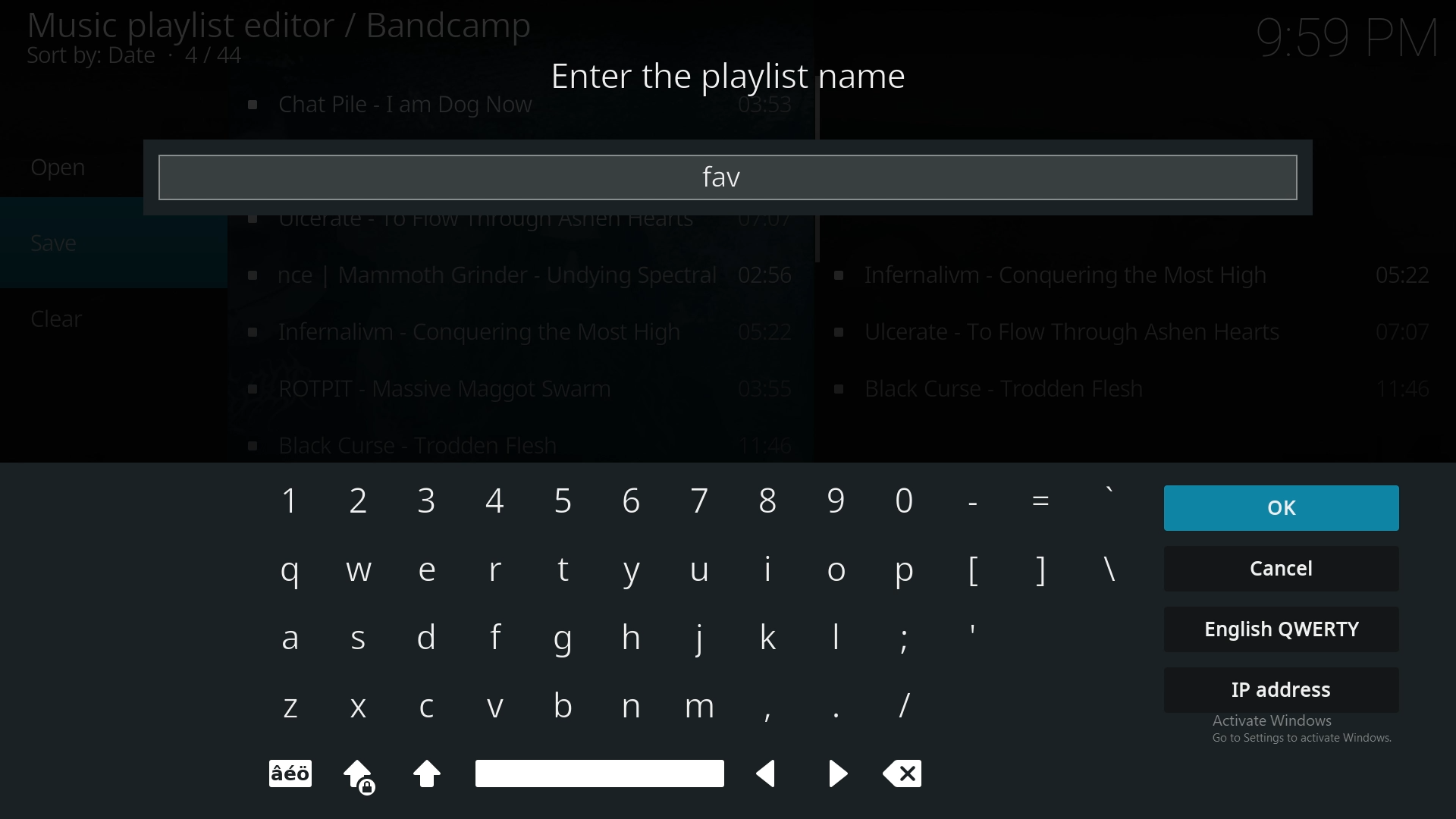 The image size is (1456, 819). I want to click on Capslock, so click(428, 777).